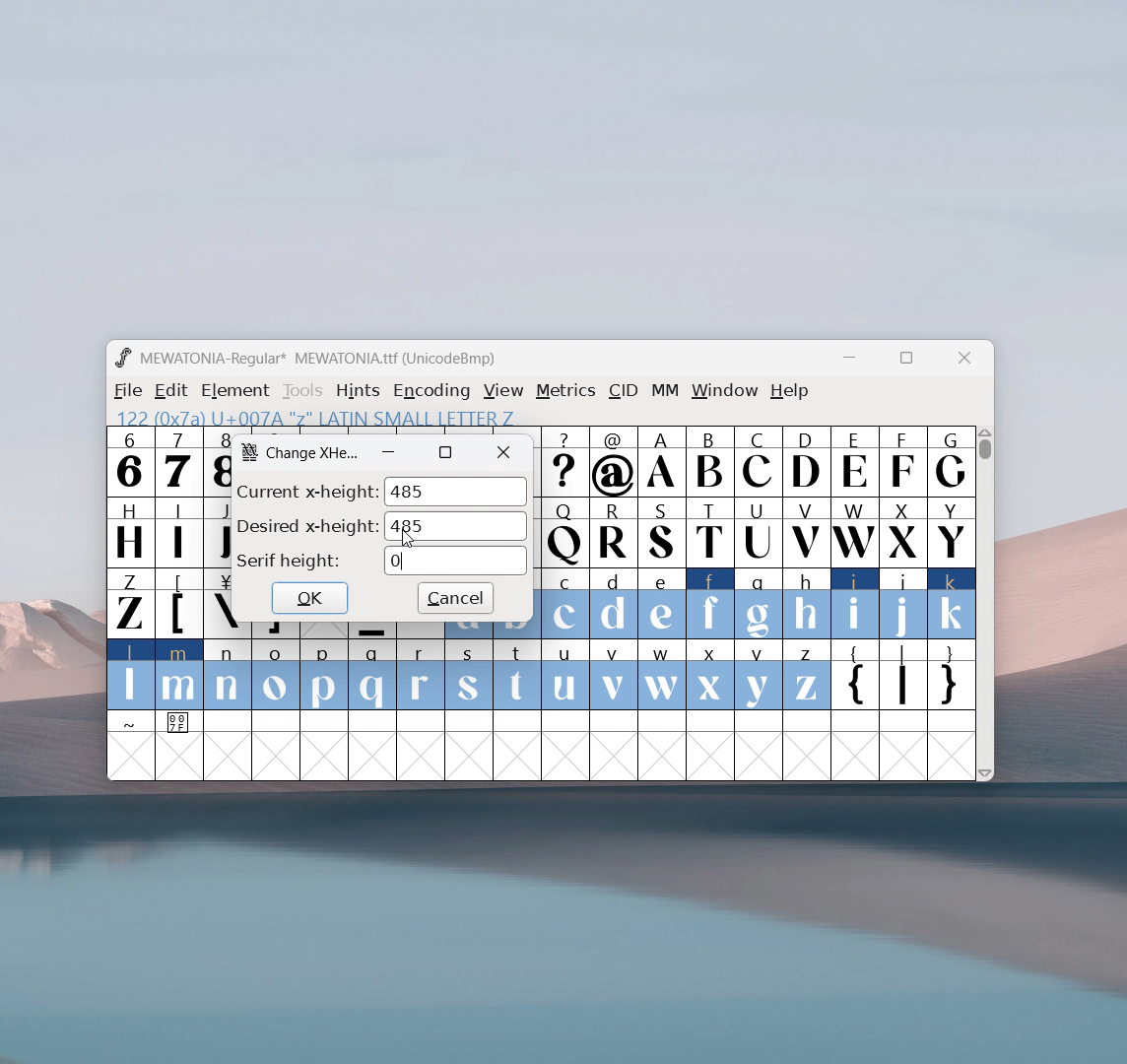 The height and width of the screenshot is (1064, 1127). Describe the element at coordinates (709, 462) in the screenshot. I see `B` at that location.